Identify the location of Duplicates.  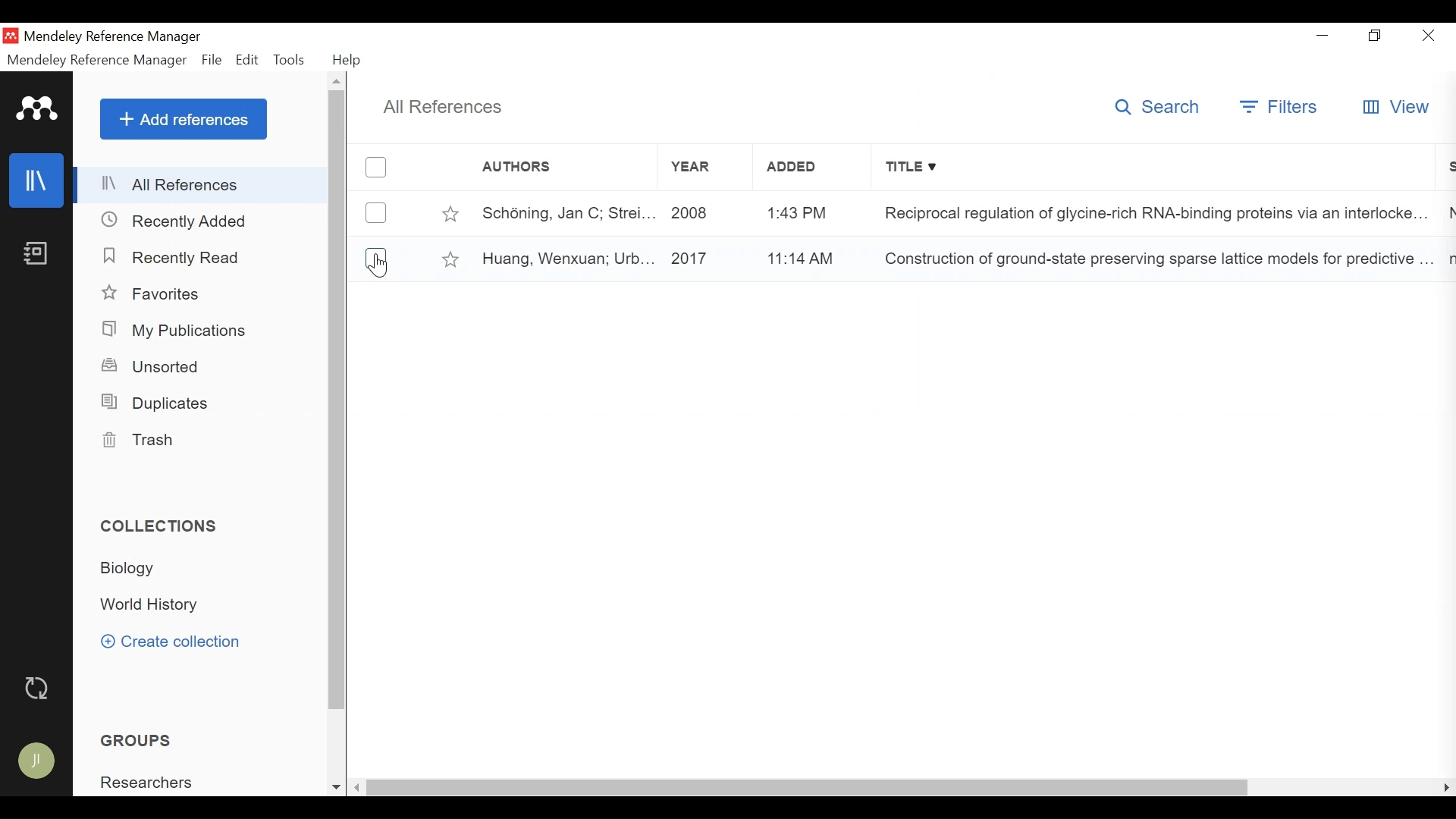
(158, 403).